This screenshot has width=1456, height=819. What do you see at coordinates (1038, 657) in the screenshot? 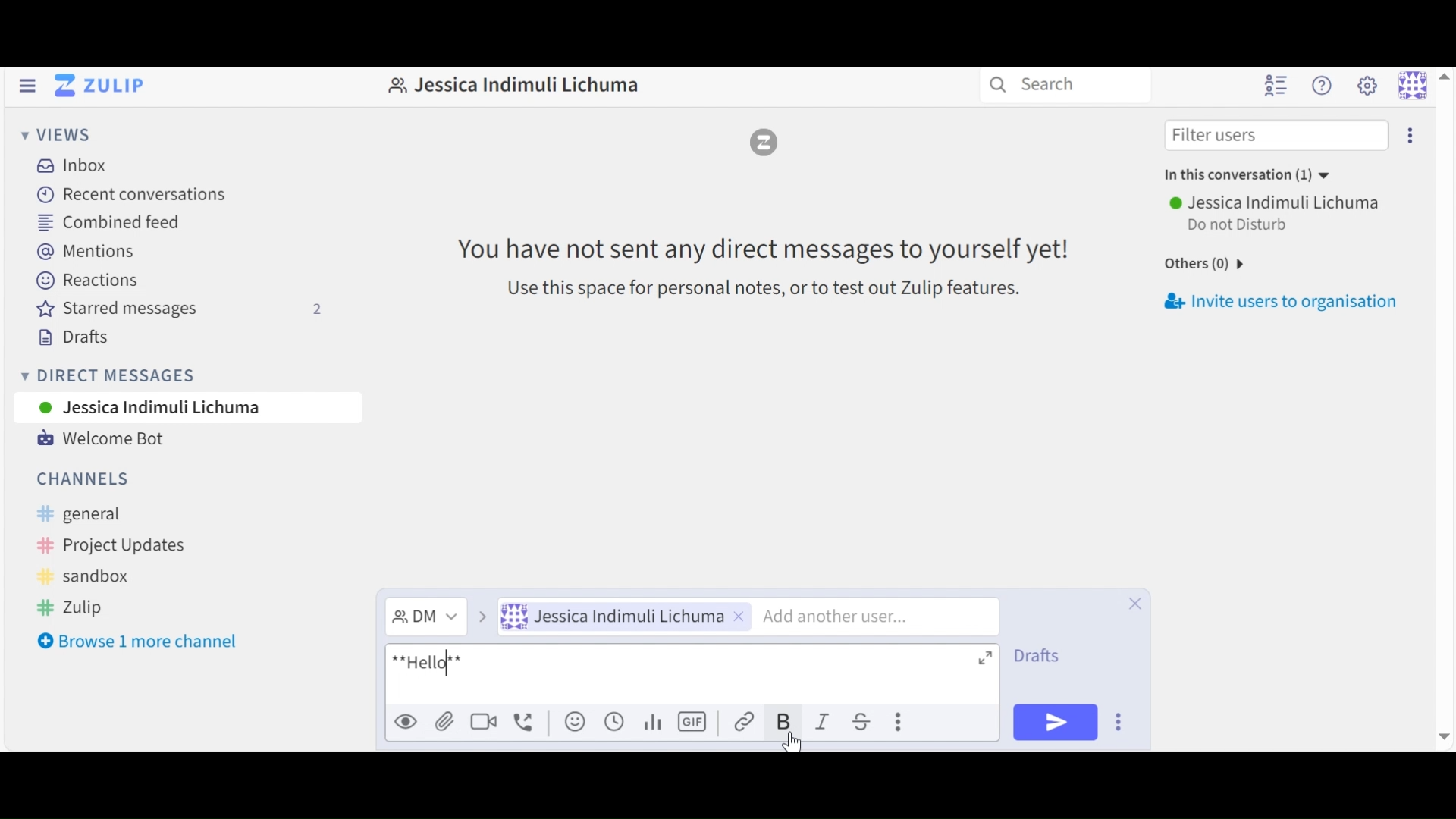
I see `Drafts` at bounding box center [1038, 657].